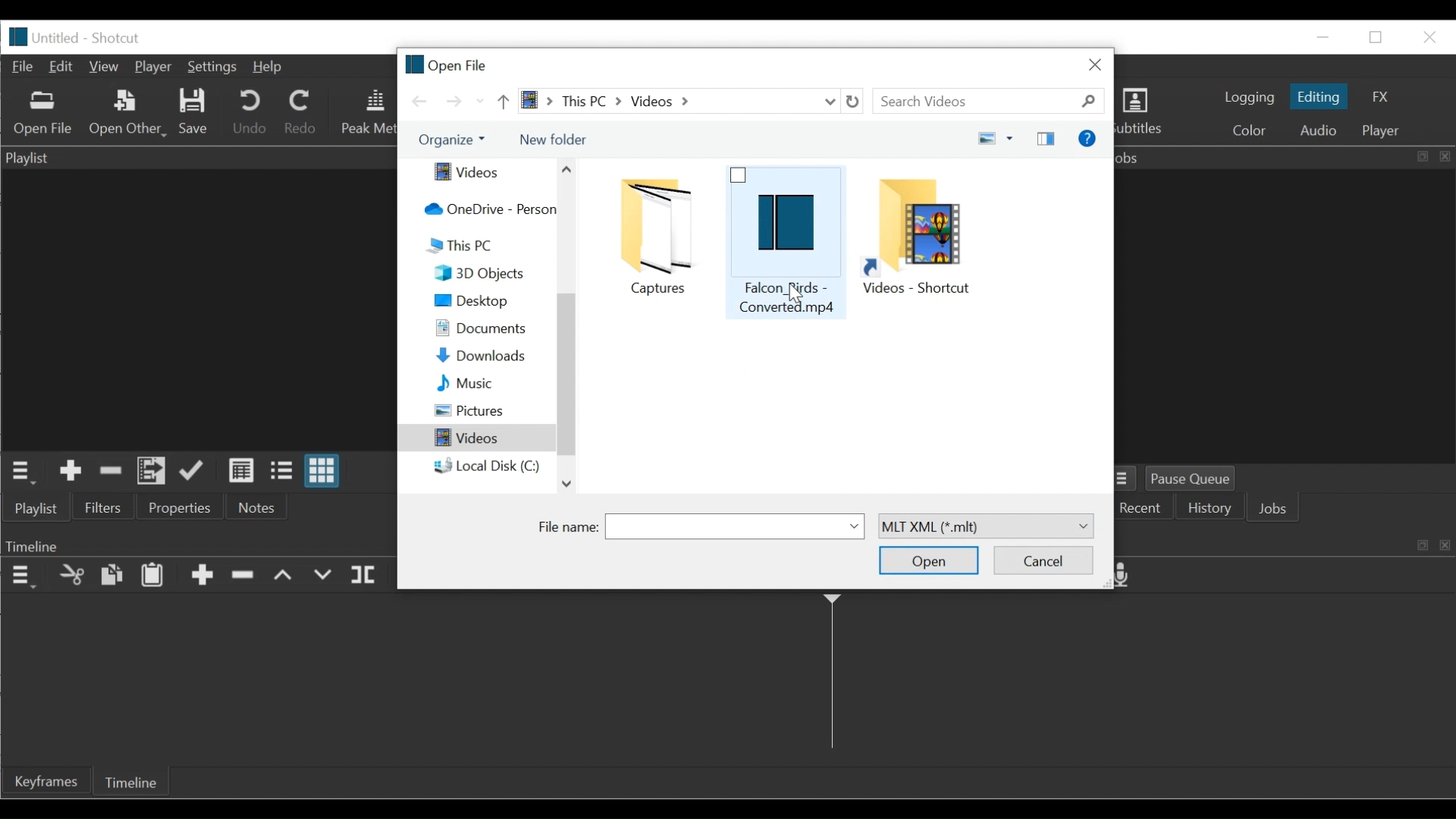 This screenshot has height=819, width=1456. Describe the element at coordinates (285, 472) in the screenshot. I see `View as files` at that location.